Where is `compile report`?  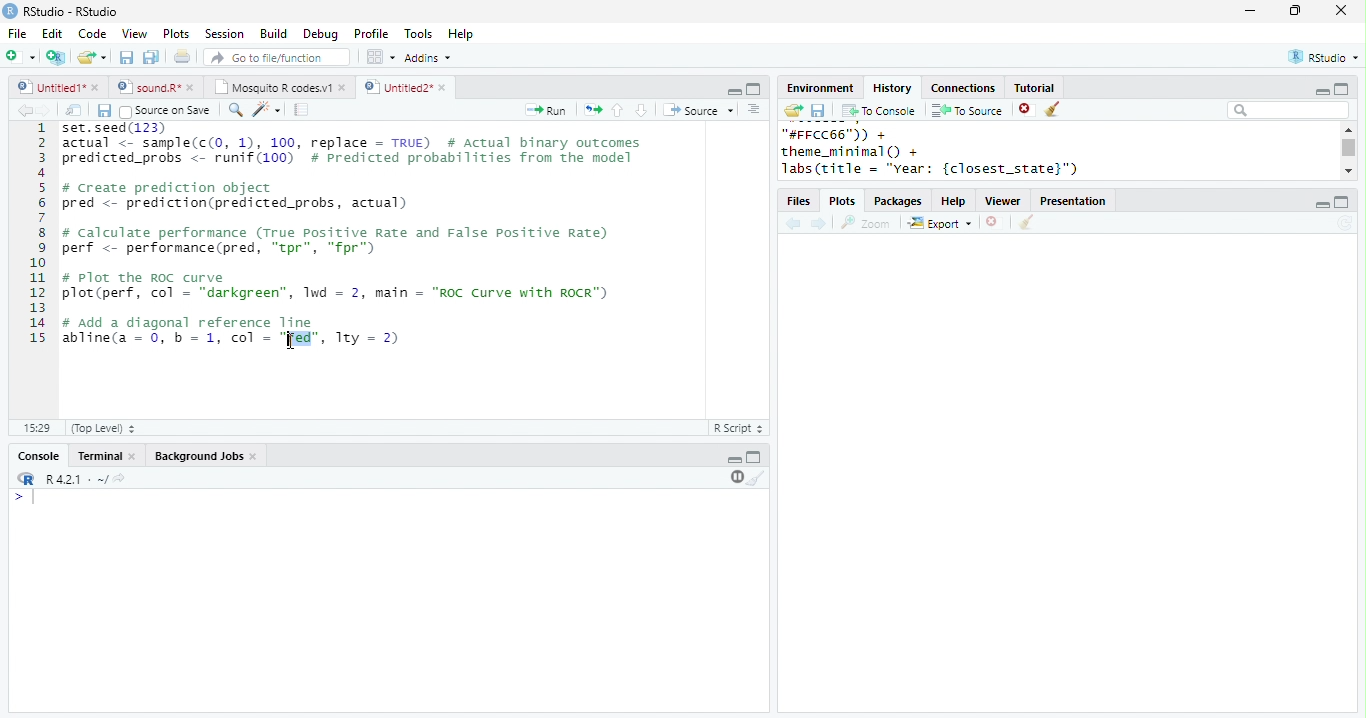 compile report is located at coordinates (302, 109).